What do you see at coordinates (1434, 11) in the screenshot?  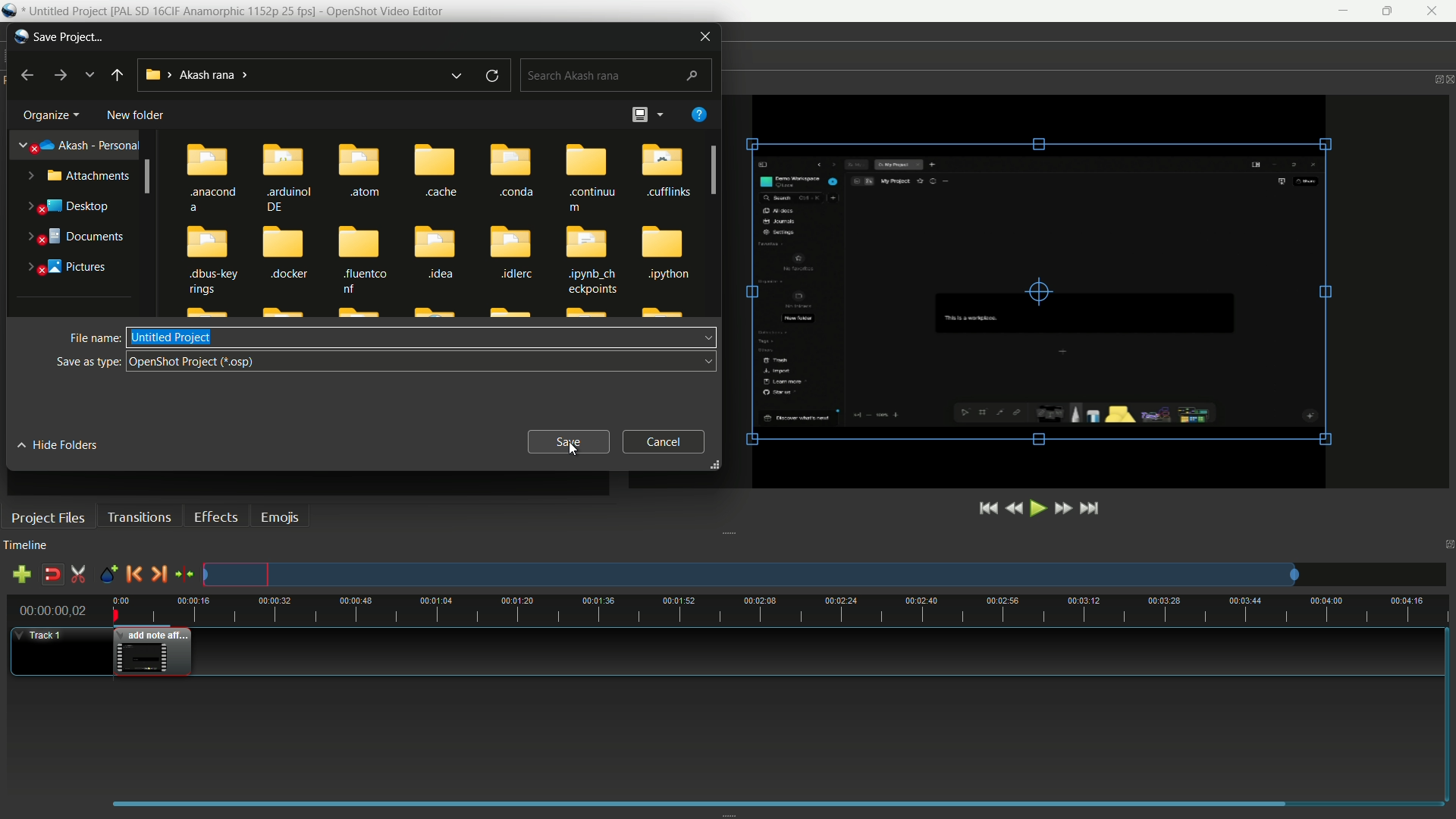 I see `close app` at bounding box center [1434, 11].